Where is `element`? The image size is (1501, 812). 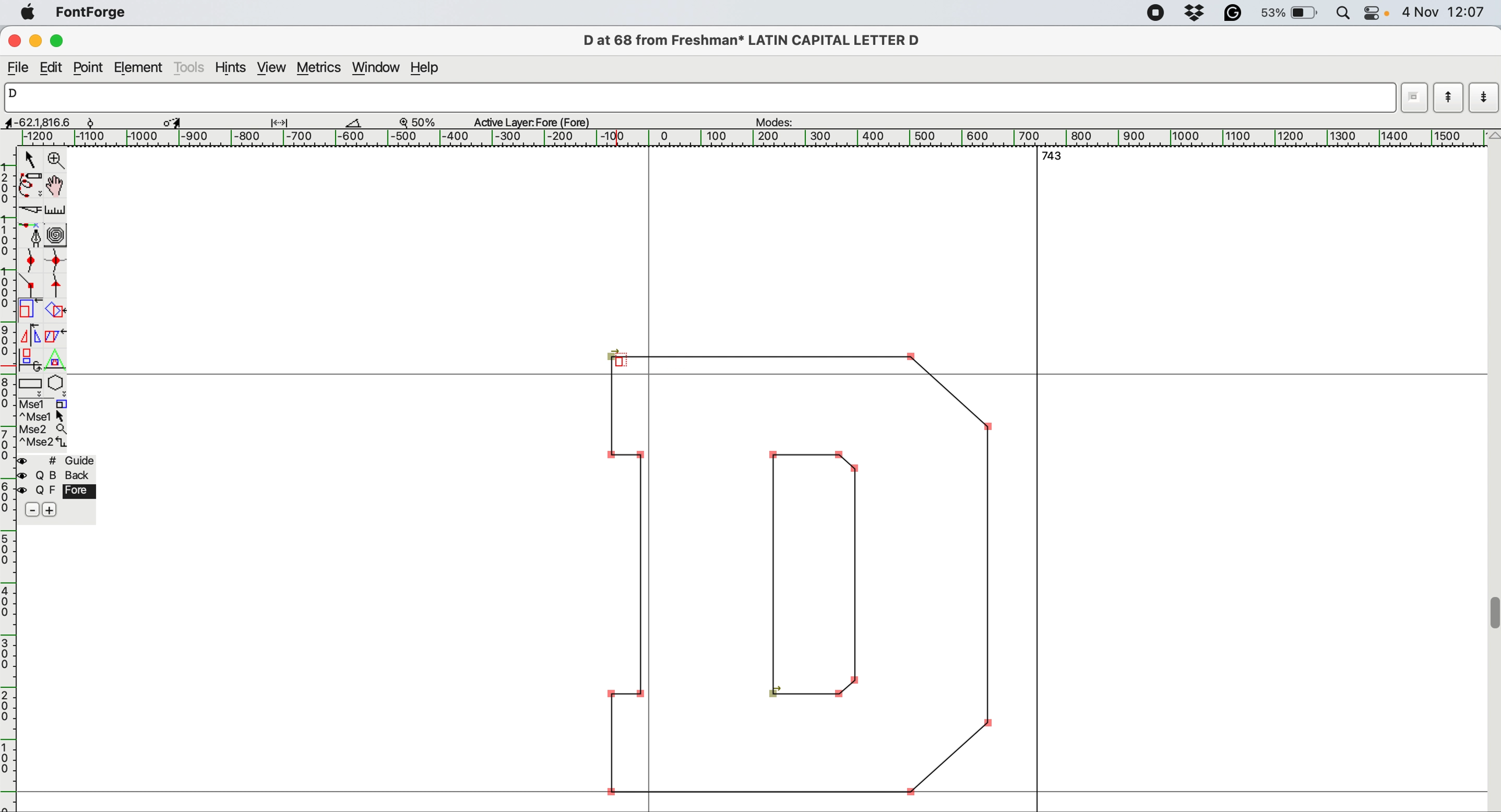 element is located at coordinates (139, 68).